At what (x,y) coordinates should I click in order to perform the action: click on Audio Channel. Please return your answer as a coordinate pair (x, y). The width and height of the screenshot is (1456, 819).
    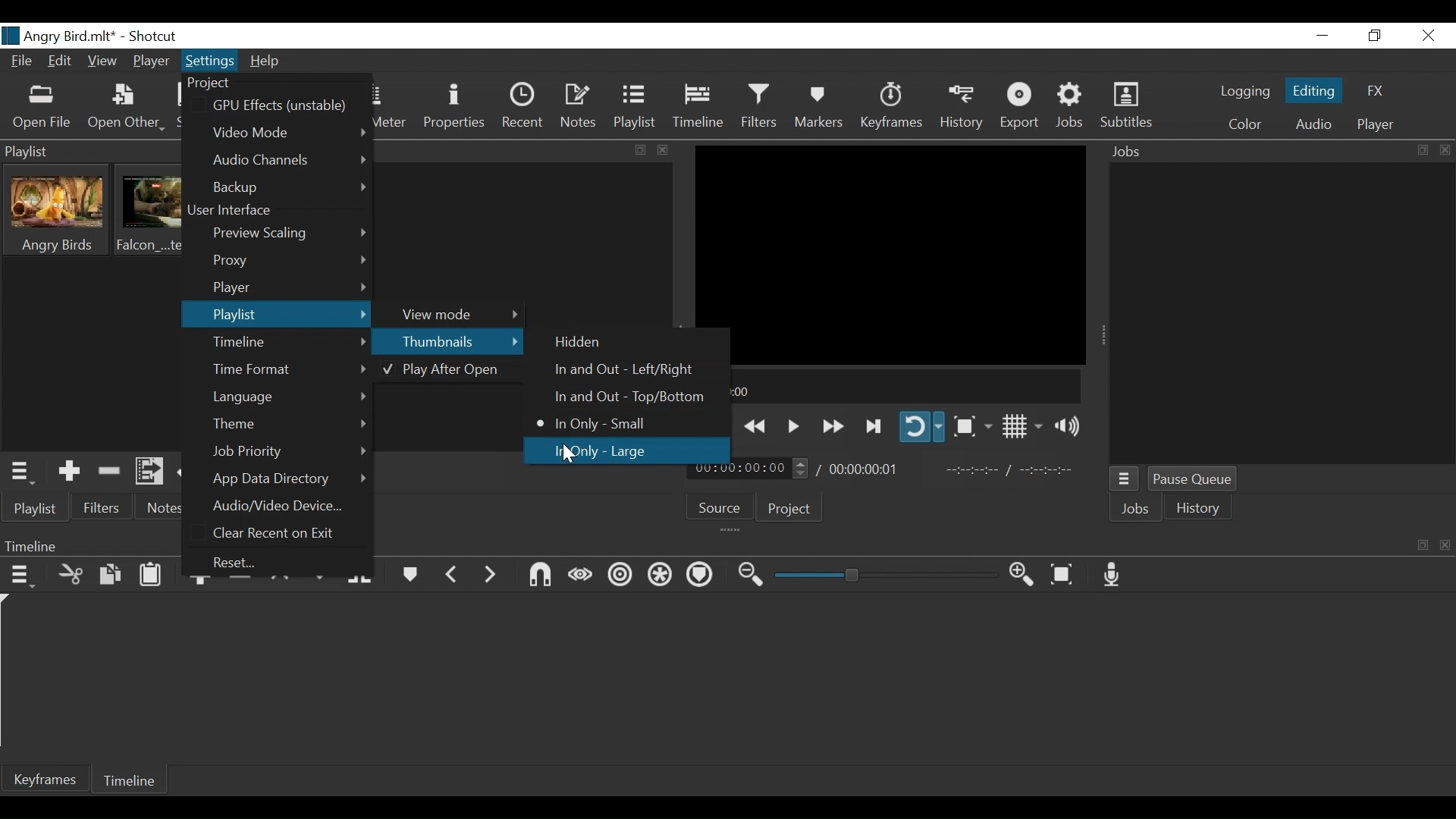
    Looking at the image, I should click on (292, 159).